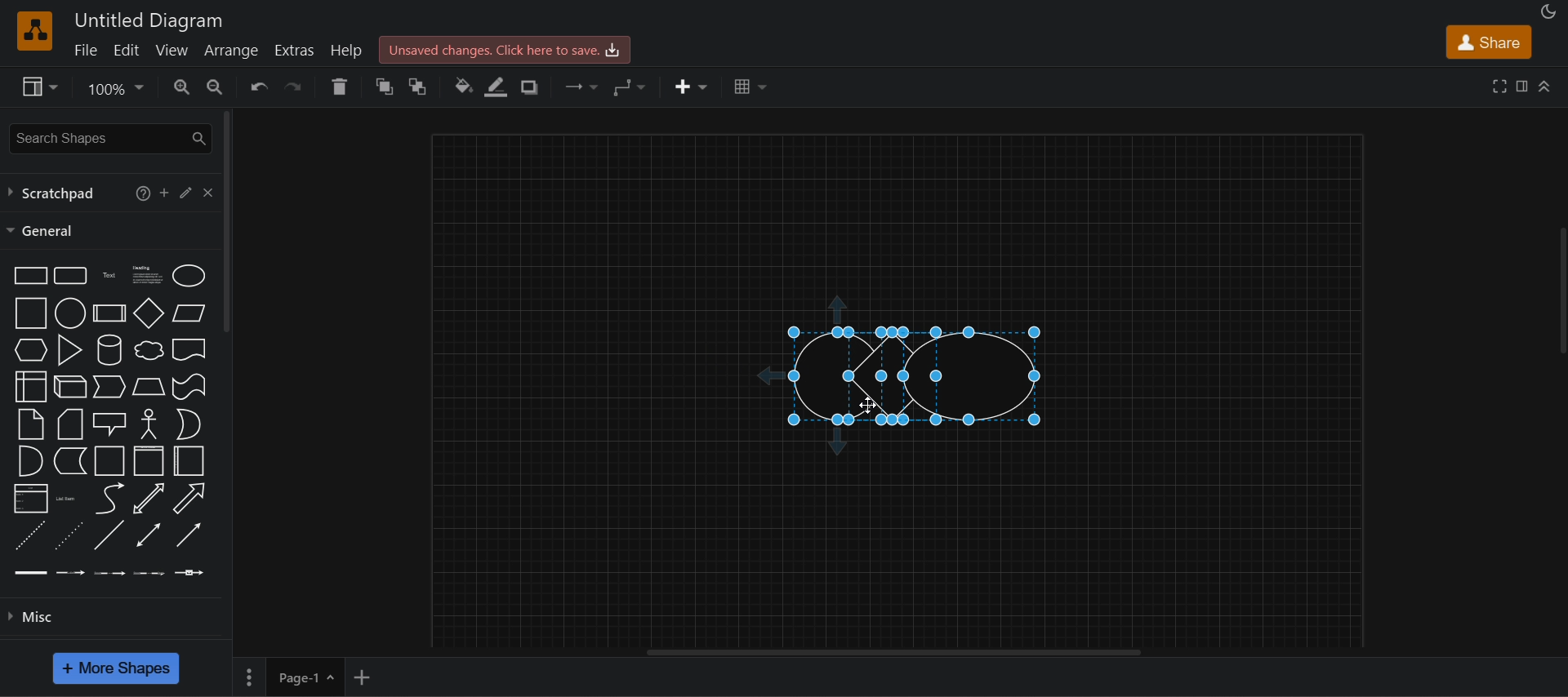  Describe the element at coordinates (108, 535) in the screenshot. I see `line` at that location.